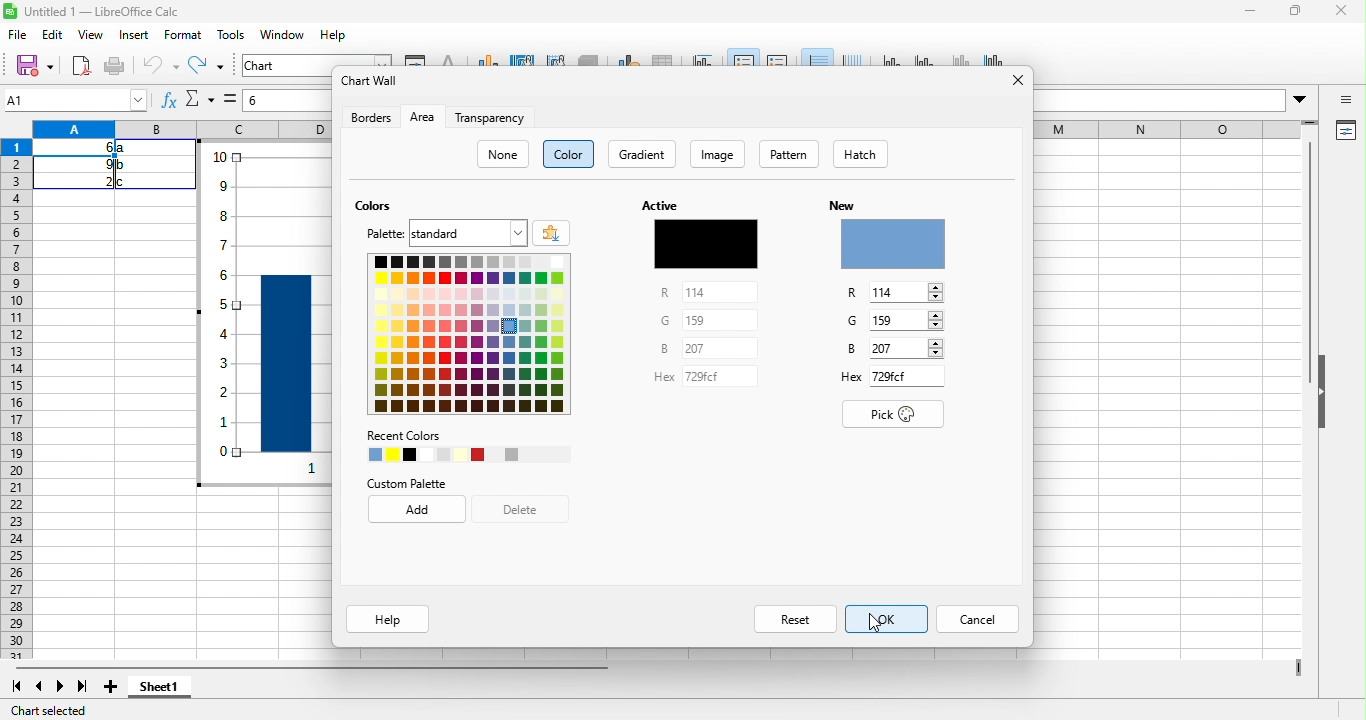  Describe the element at coordinates (1346, 131) in the screenshot. I see `properties` at that location.